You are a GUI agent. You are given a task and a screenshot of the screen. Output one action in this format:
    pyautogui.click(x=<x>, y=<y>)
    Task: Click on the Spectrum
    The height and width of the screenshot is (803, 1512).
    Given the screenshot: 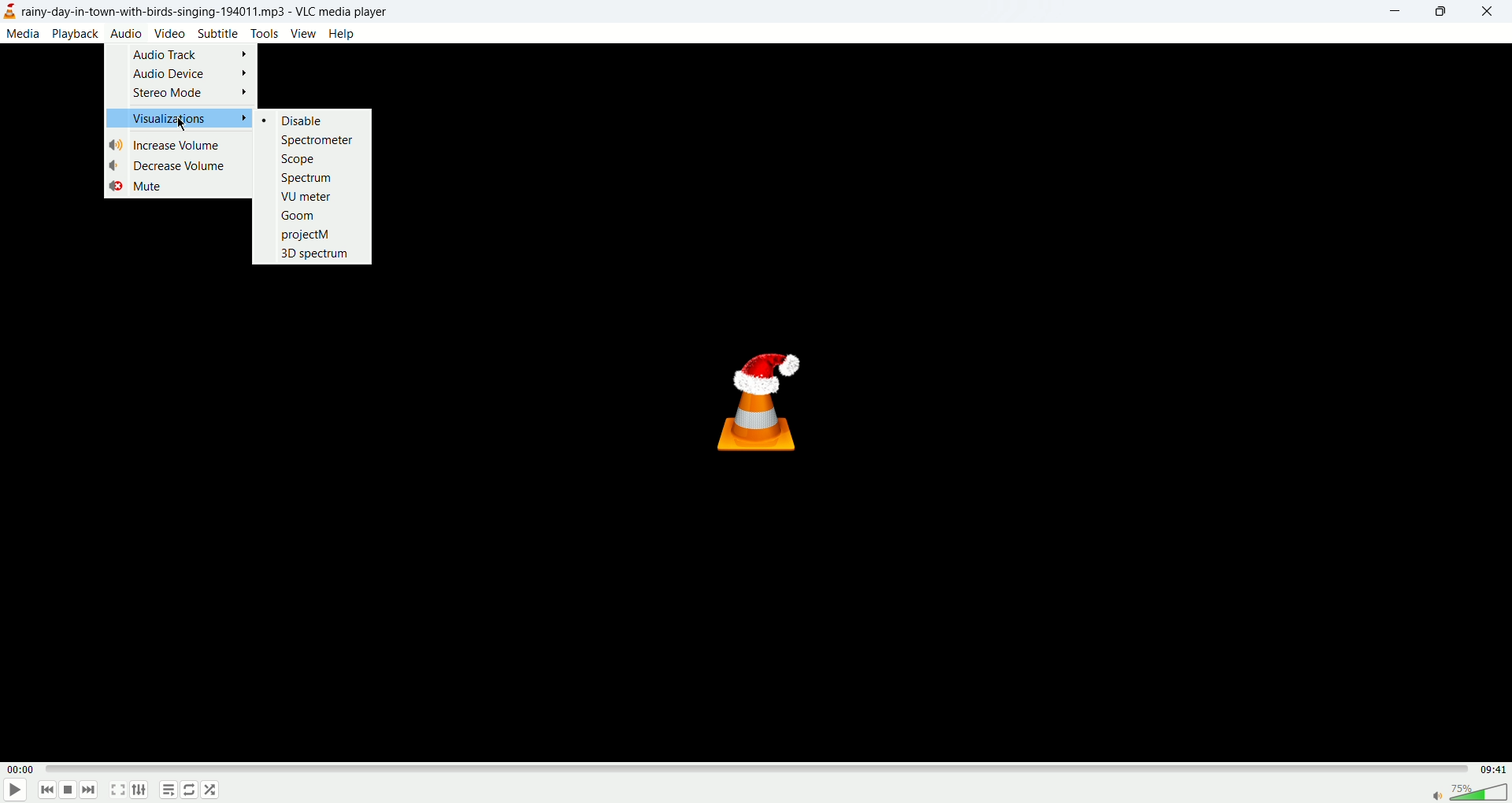 What is the action you would take?
    pyautogui.click(x=304, y=176)
    